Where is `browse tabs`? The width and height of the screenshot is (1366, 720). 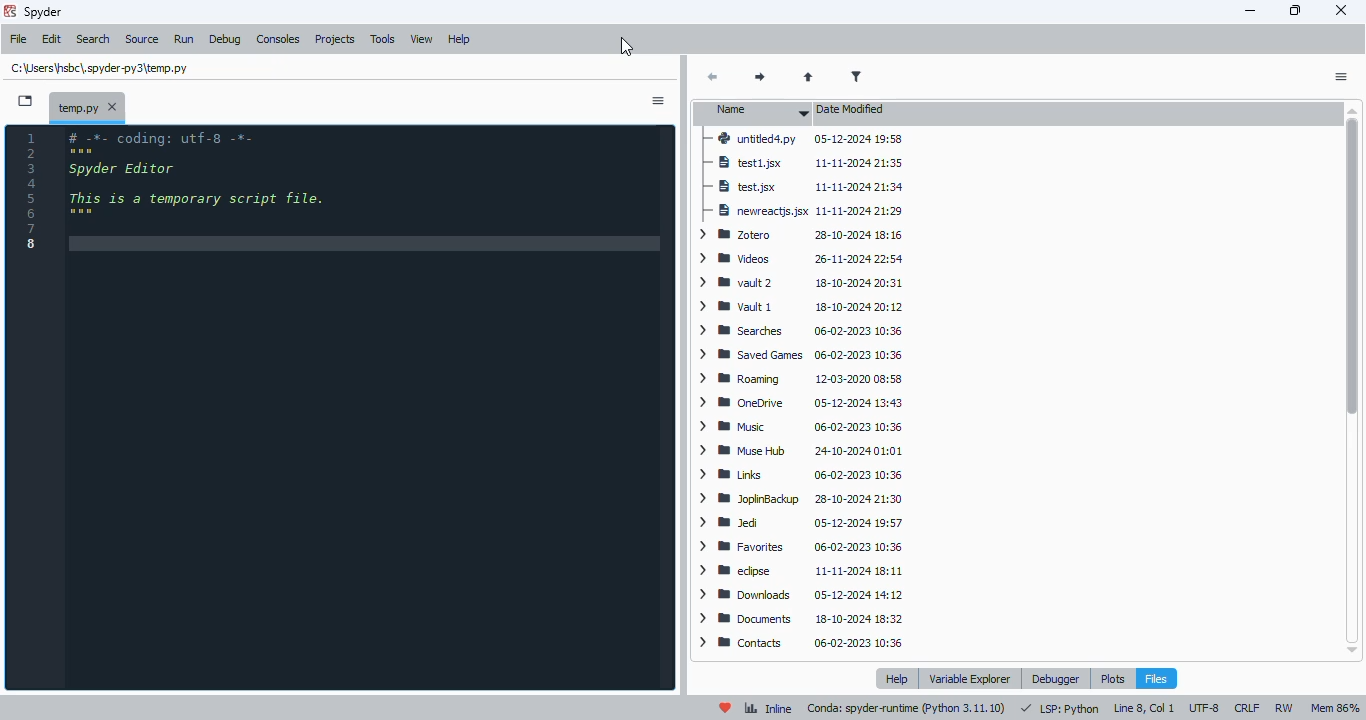 browse tabs is located at coordinates (26, 101).